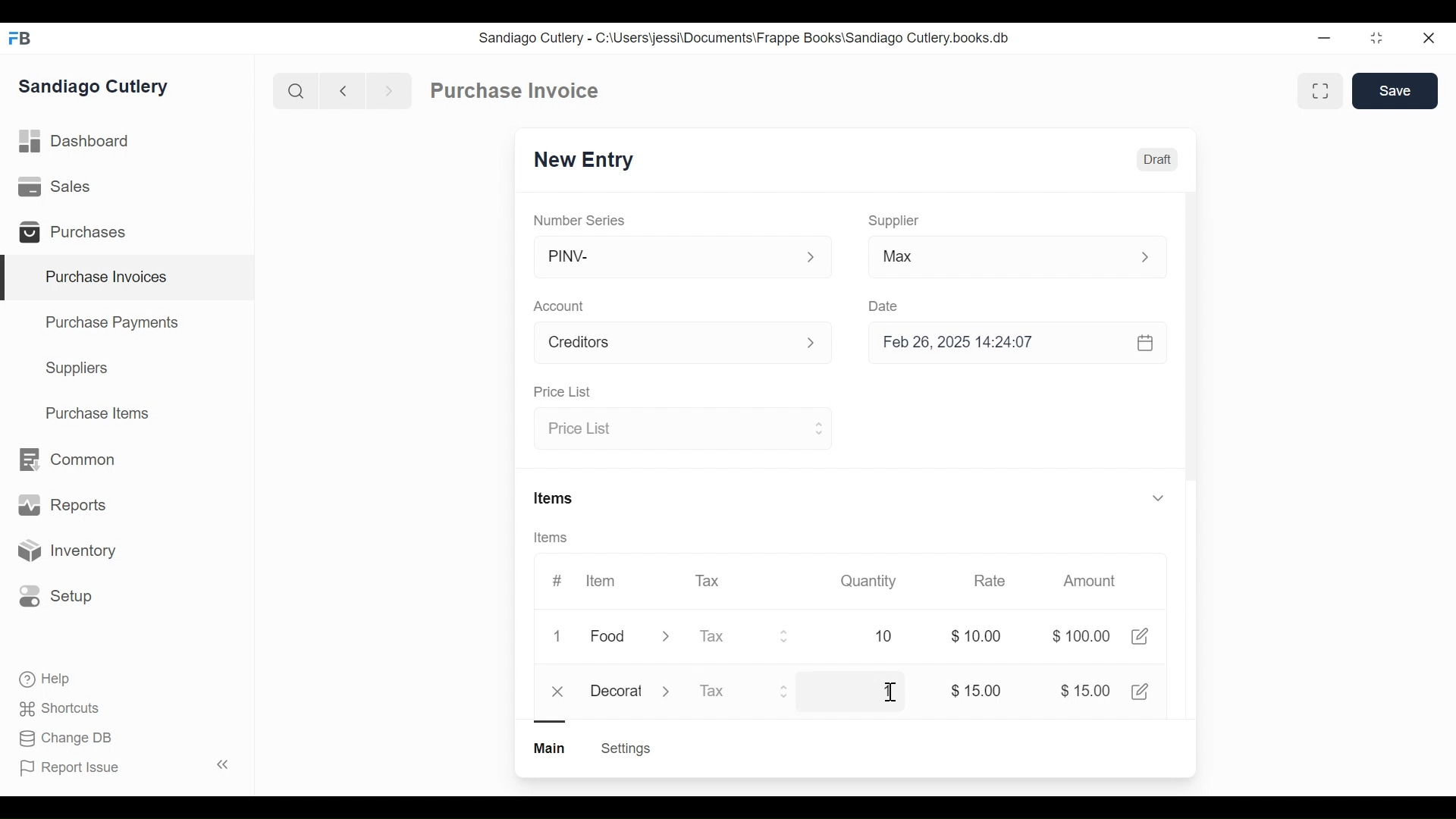 Image resolution: width=1456 pixels, height=819 pixels. I want to click on Help, so click(46, 679).